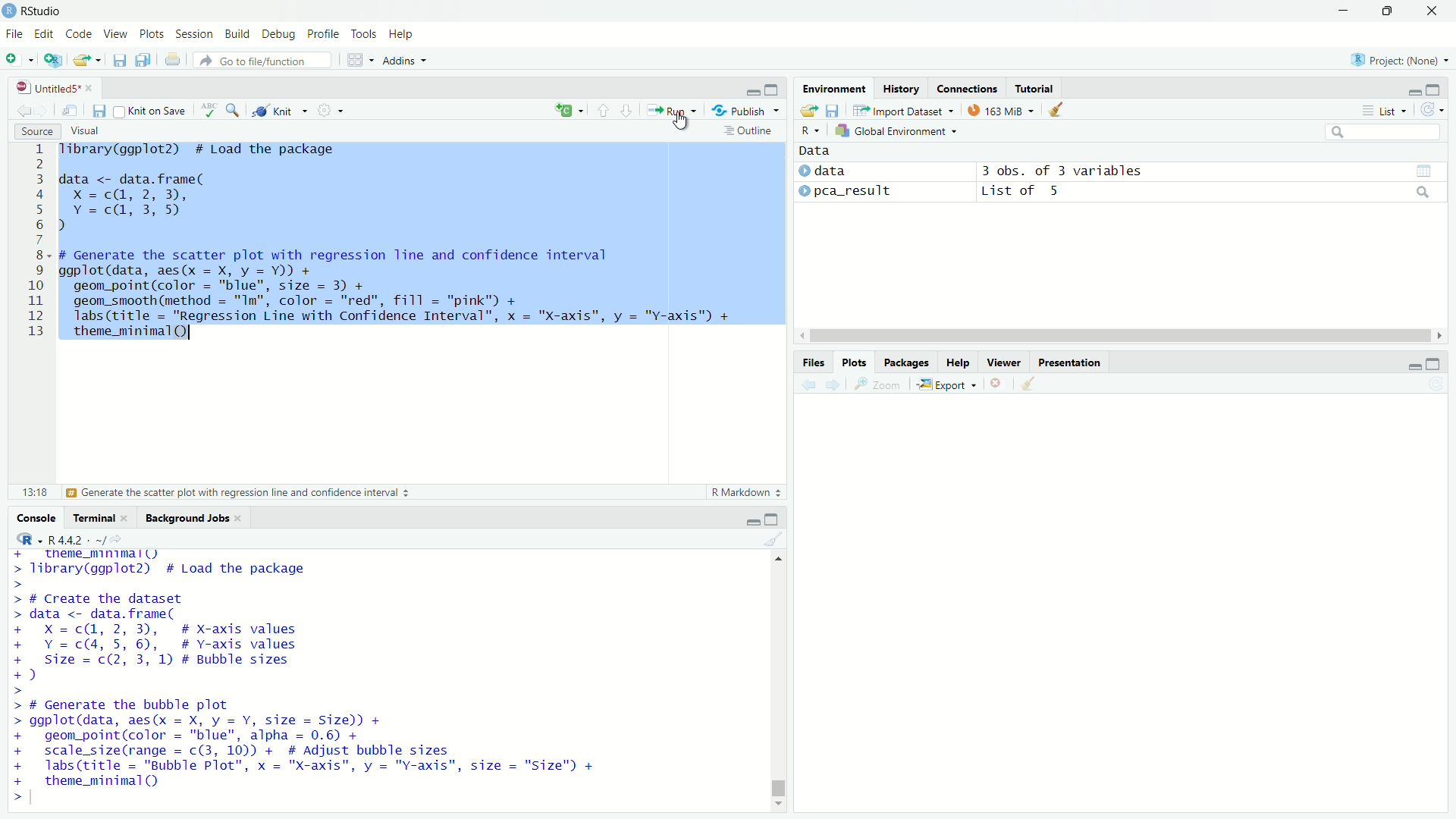  Describe the element at coordinates (1057, 110) in the screenshot. I see `Clear objects from workspace` at that location.